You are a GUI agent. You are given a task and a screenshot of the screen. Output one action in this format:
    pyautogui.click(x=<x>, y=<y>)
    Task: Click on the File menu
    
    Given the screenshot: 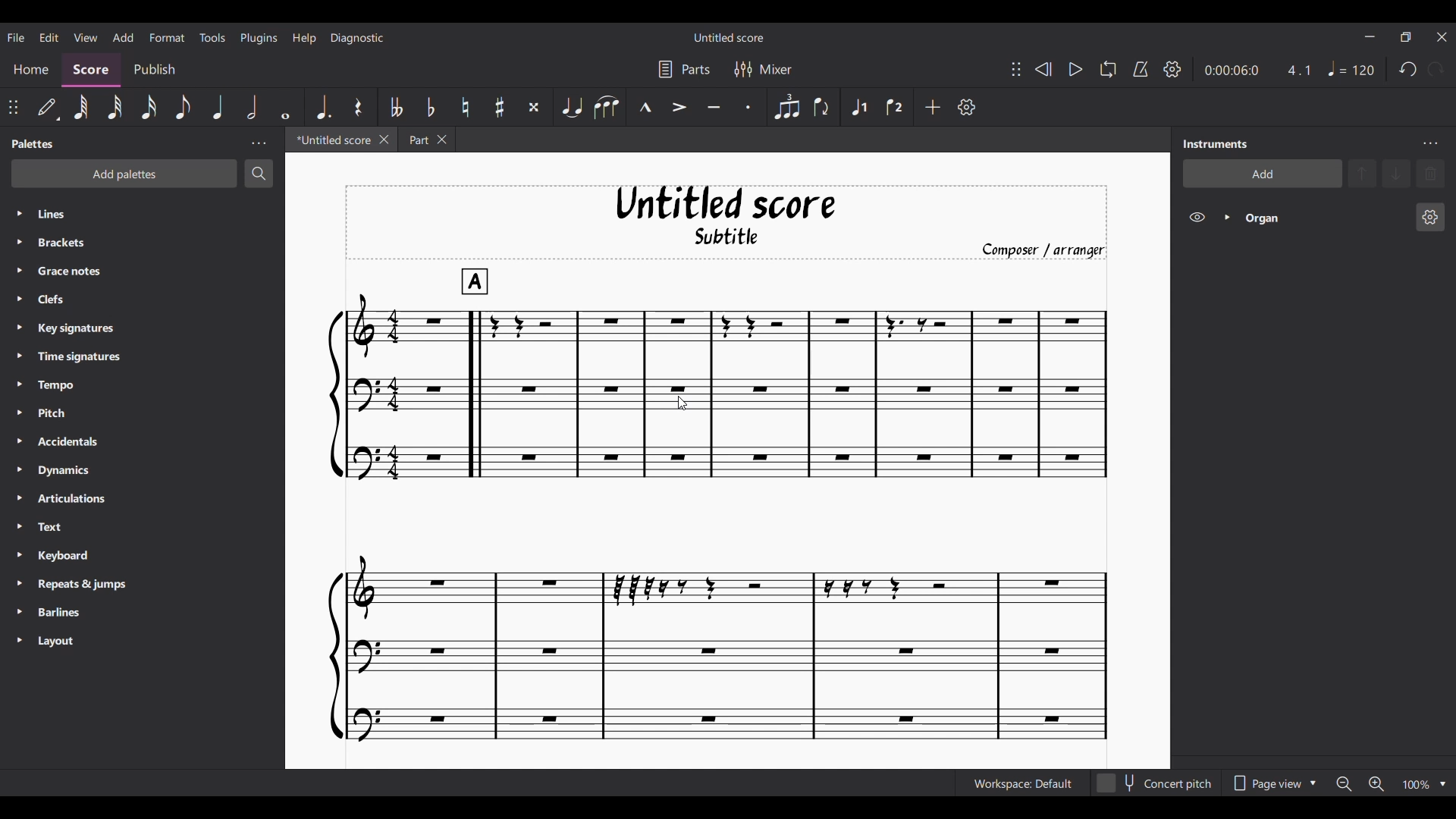 What is the action you would take?
    pyautogui.click(x=16, y=37)
    